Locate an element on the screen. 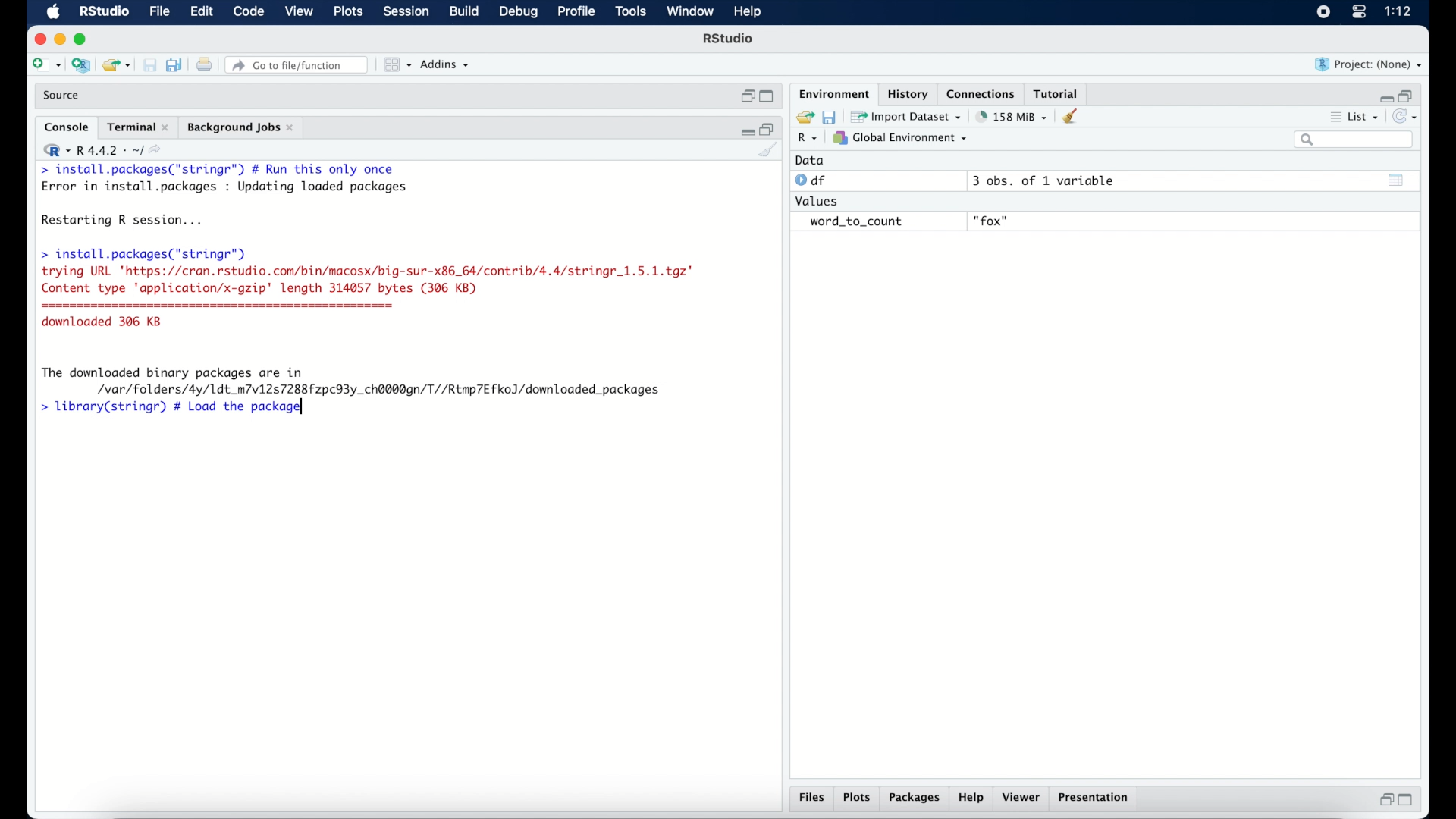  go to file/function is located at coordinates (300, 65).